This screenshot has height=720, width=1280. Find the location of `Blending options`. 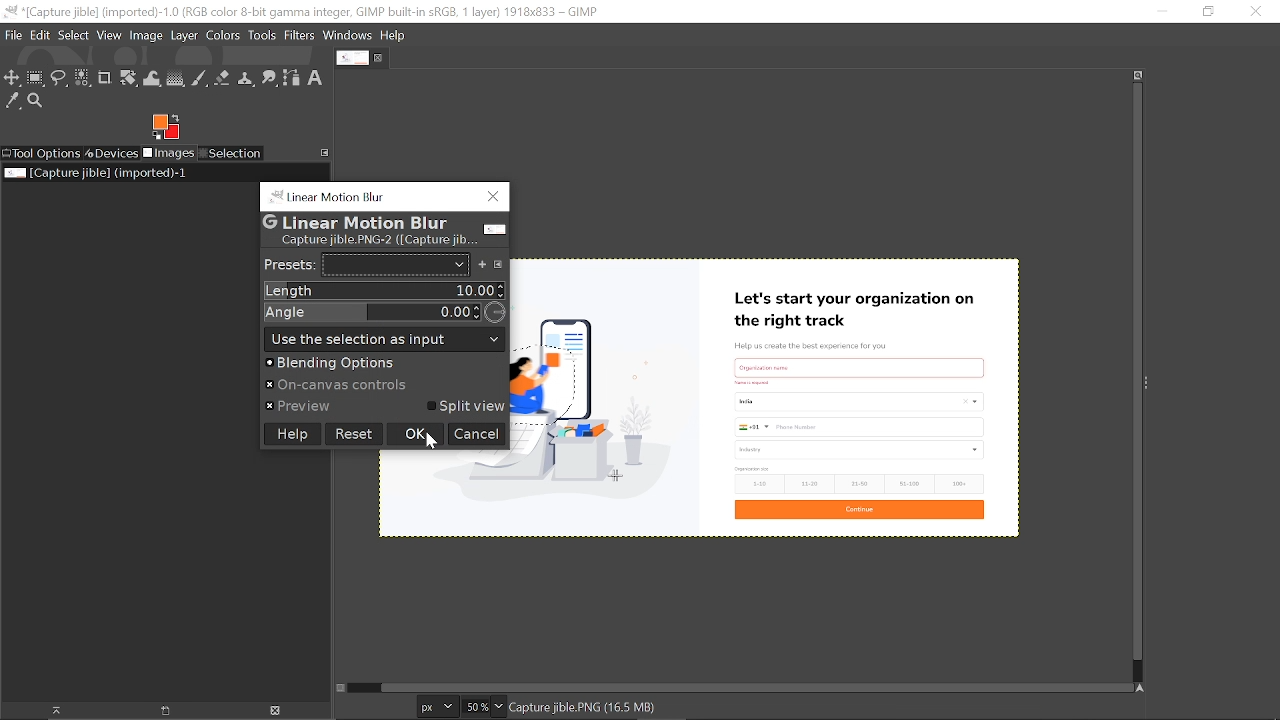

Blending options is located at coordinates (371, 363).